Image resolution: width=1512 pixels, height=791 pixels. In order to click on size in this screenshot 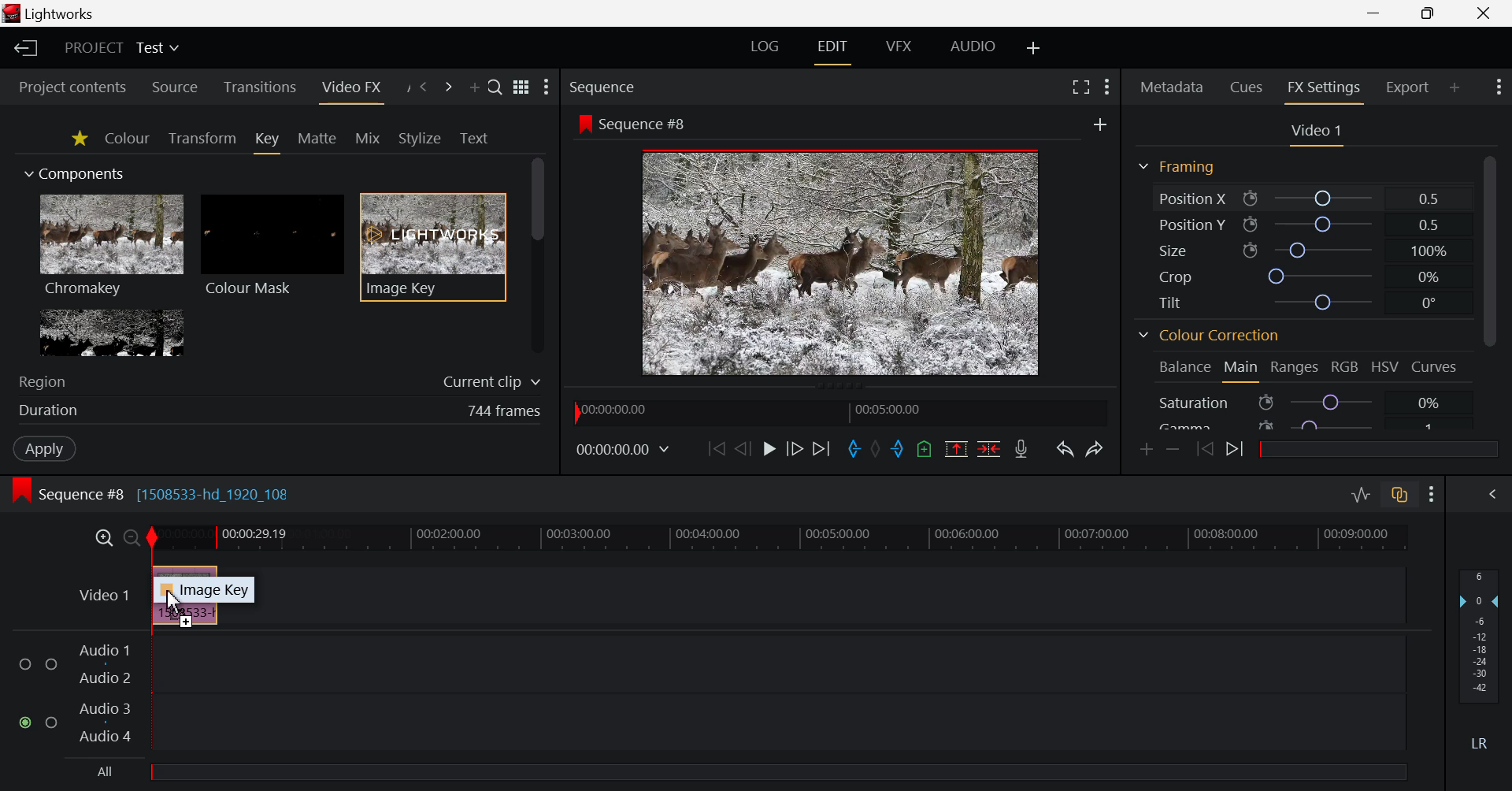, I will do `click(1323, 251)`.